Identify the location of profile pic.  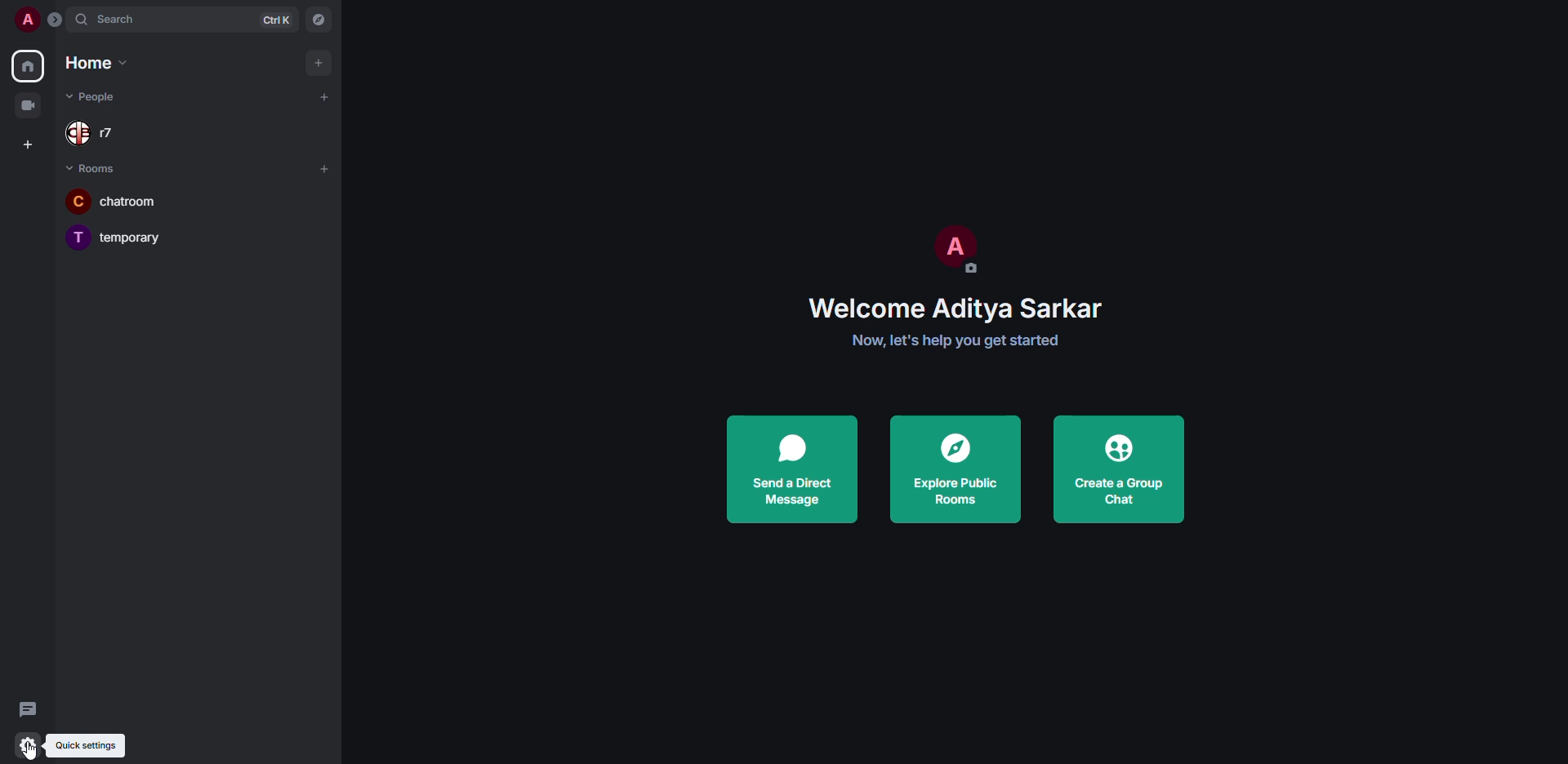
(951, 247).